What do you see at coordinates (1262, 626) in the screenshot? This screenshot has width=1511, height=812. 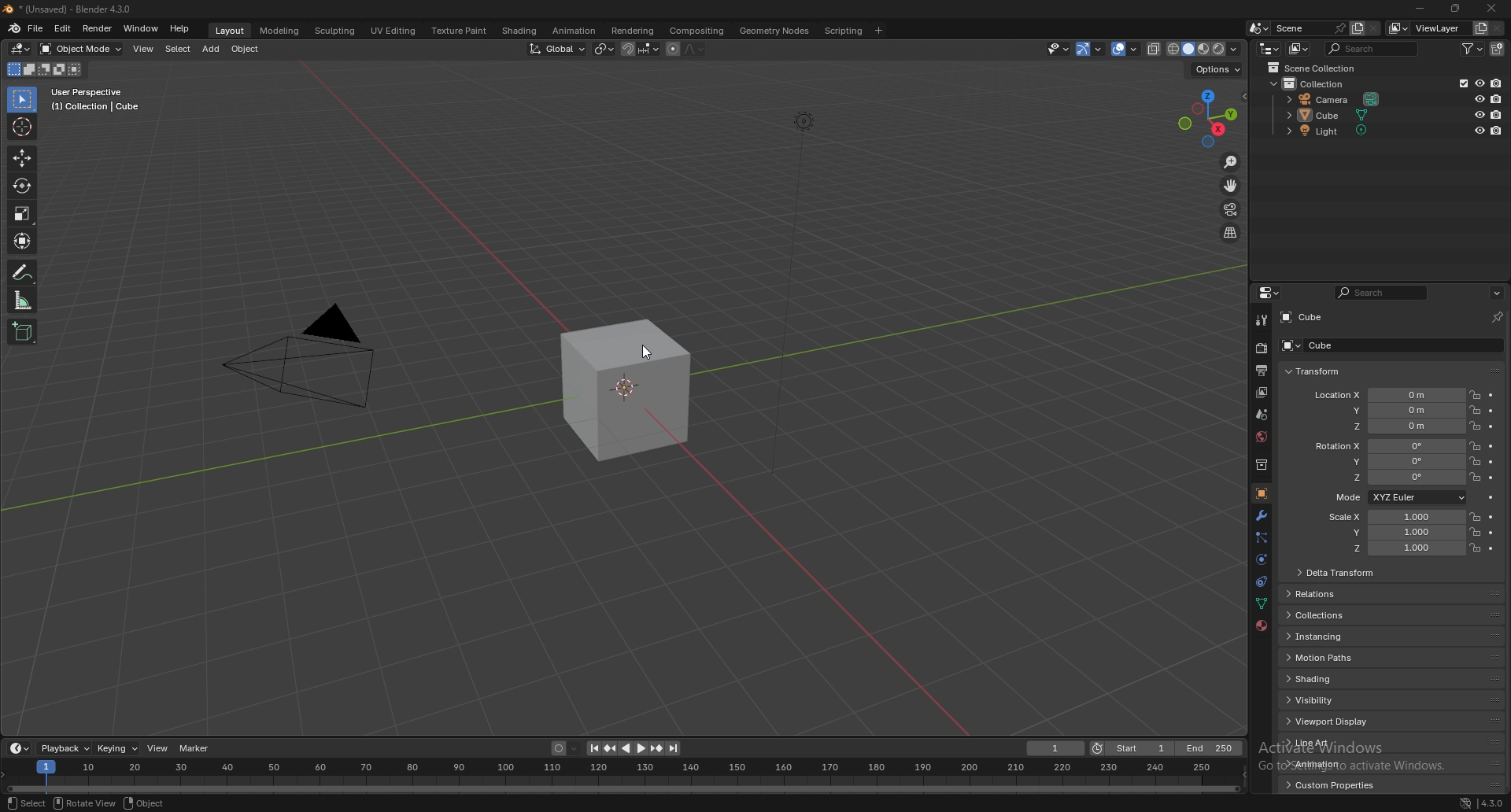 I see `material` at bounding box center [1262, 626].